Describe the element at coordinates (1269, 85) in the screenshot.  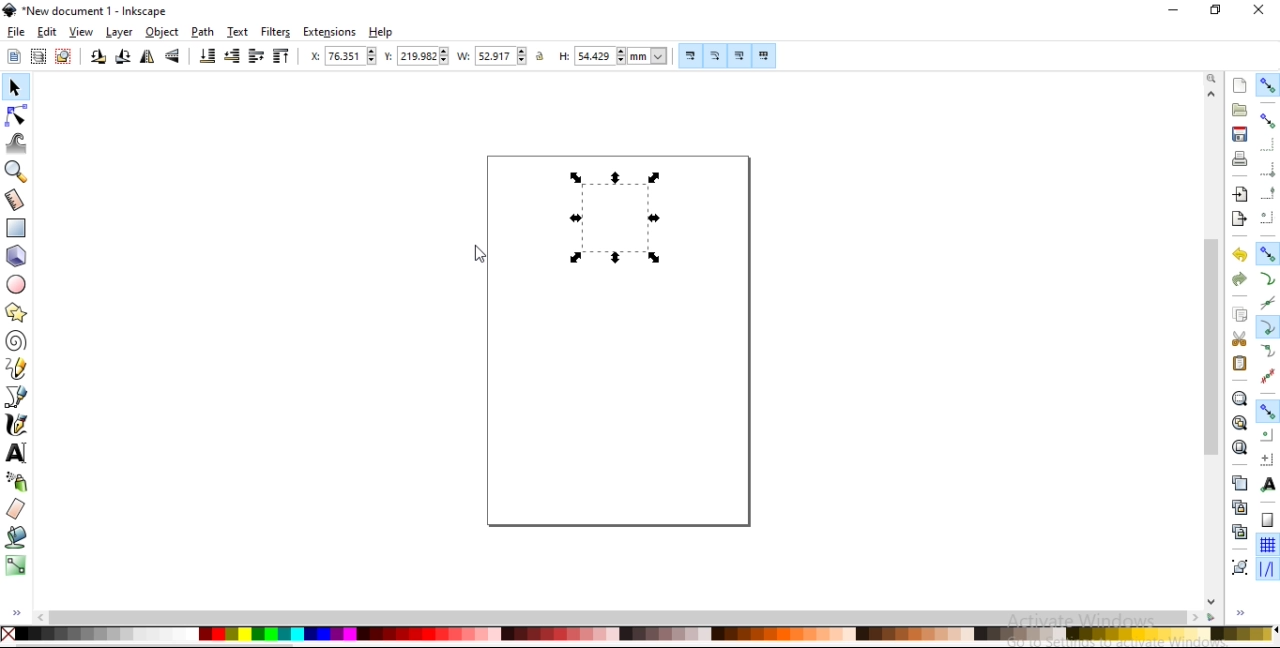
I see `enable snapping` at that location.